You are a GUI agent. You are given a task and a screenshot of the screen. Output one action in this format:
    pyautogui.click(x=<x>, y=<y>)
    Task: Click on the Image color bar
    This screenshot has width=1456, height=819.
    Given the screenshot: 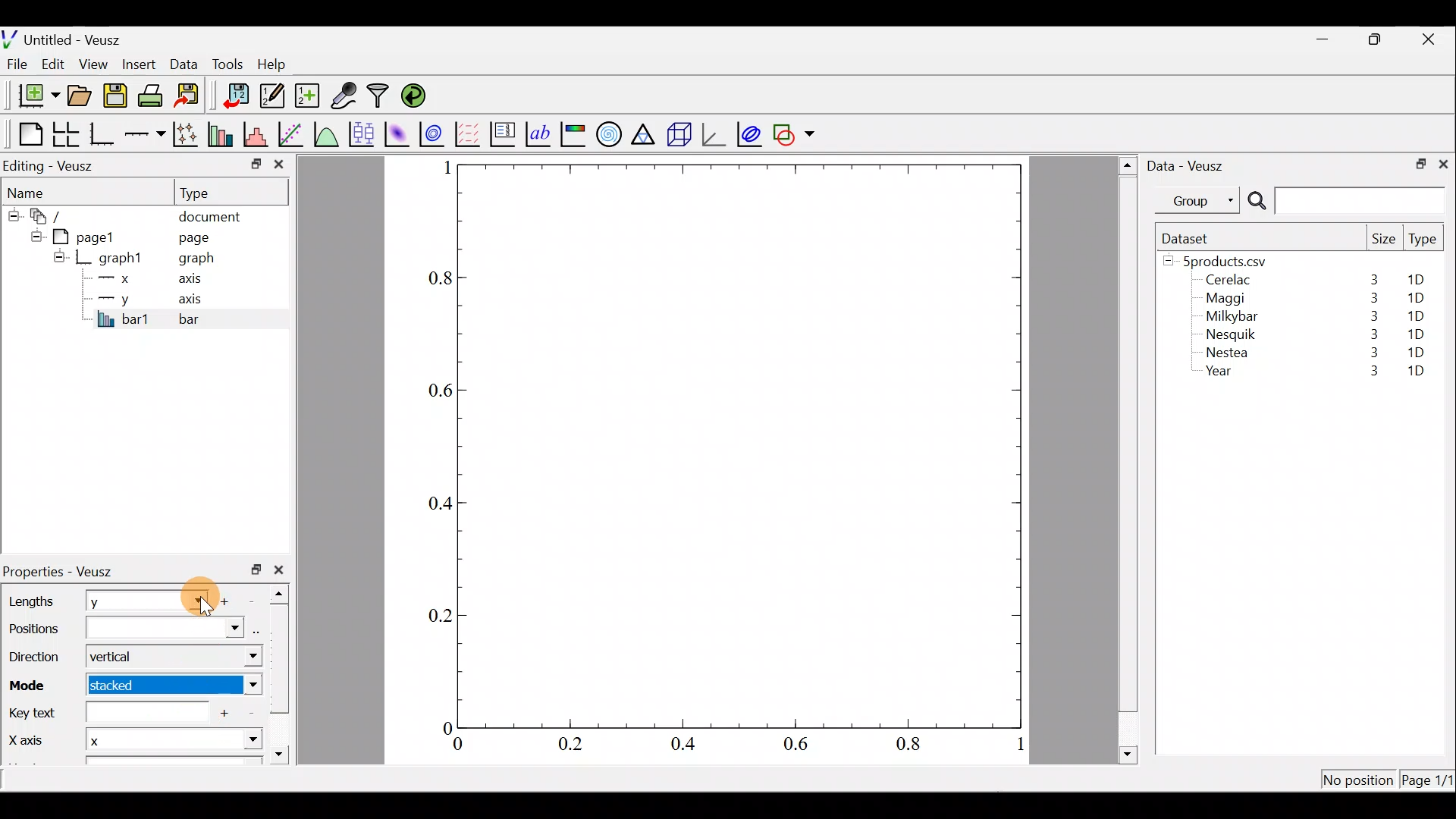 What is the action you would take?
    pyautogui.click(x=574, y=133)
    